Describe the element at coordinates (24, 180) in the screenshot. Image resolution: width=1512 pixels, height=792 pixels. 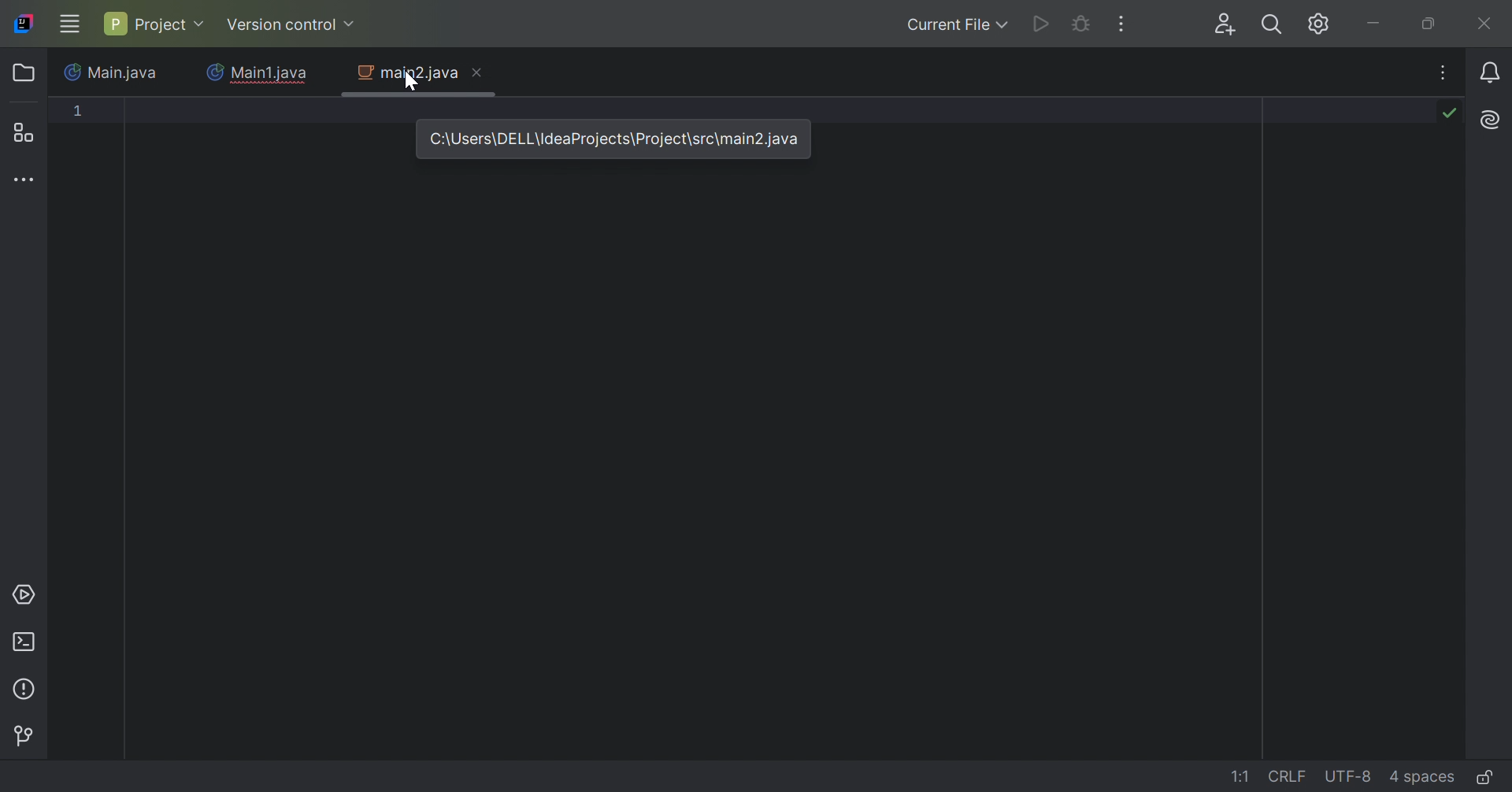
I see `More tool windows` at that location.